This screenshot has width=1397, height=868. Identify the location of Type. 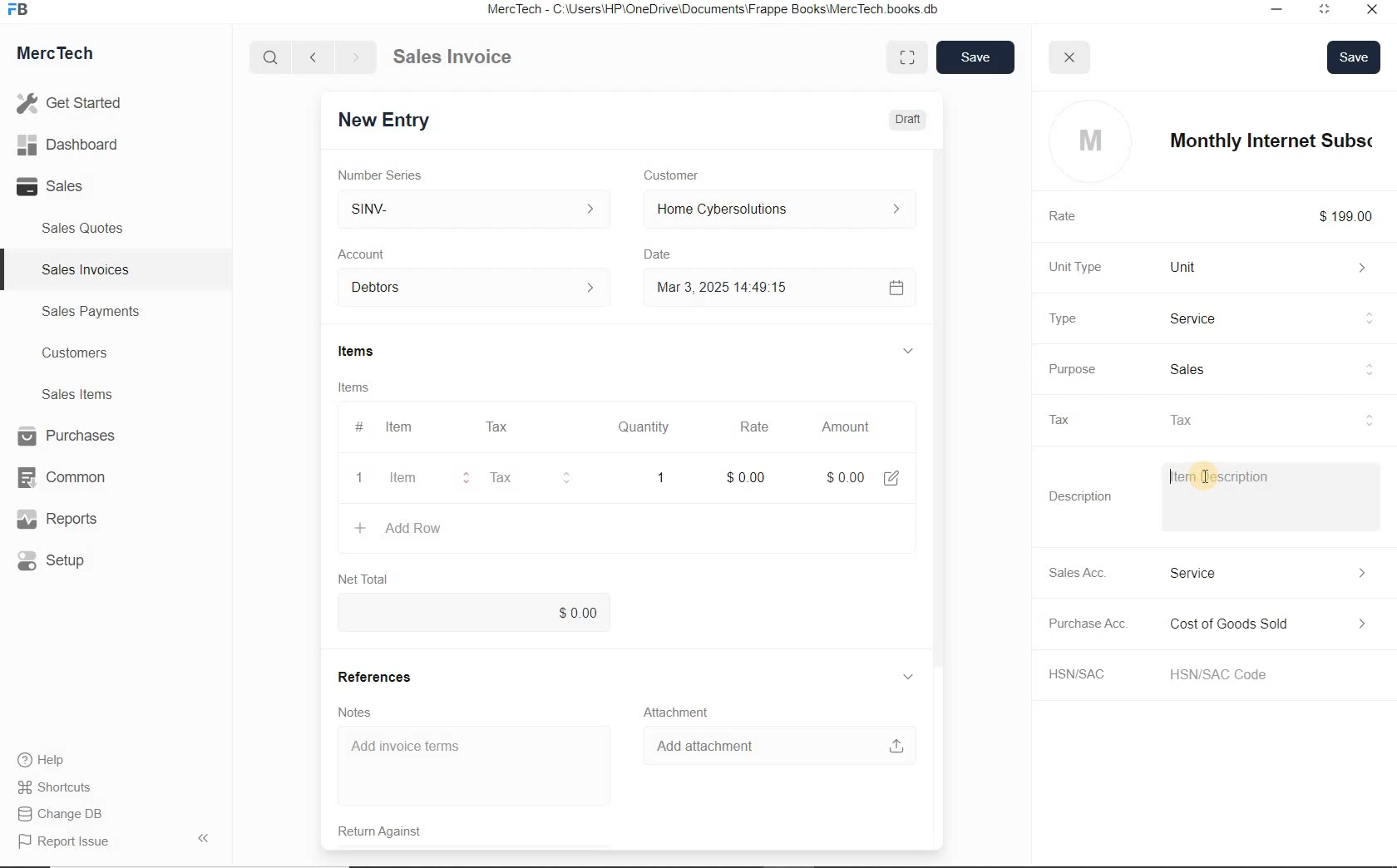
(1061, 318).